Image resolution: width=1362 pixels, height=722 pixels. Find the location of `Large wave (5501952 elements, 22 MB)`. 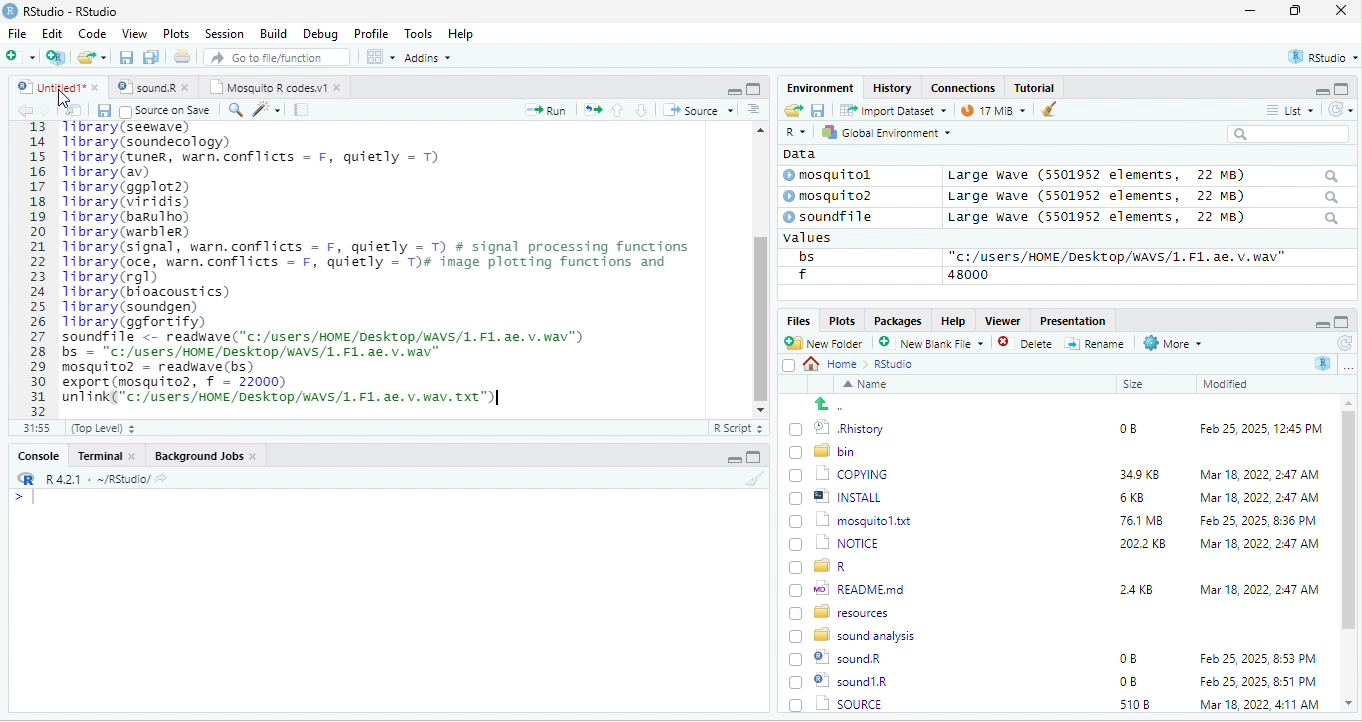

Large wave (5501952 elements, 22 MB) is located at coordinates (1144, 219).